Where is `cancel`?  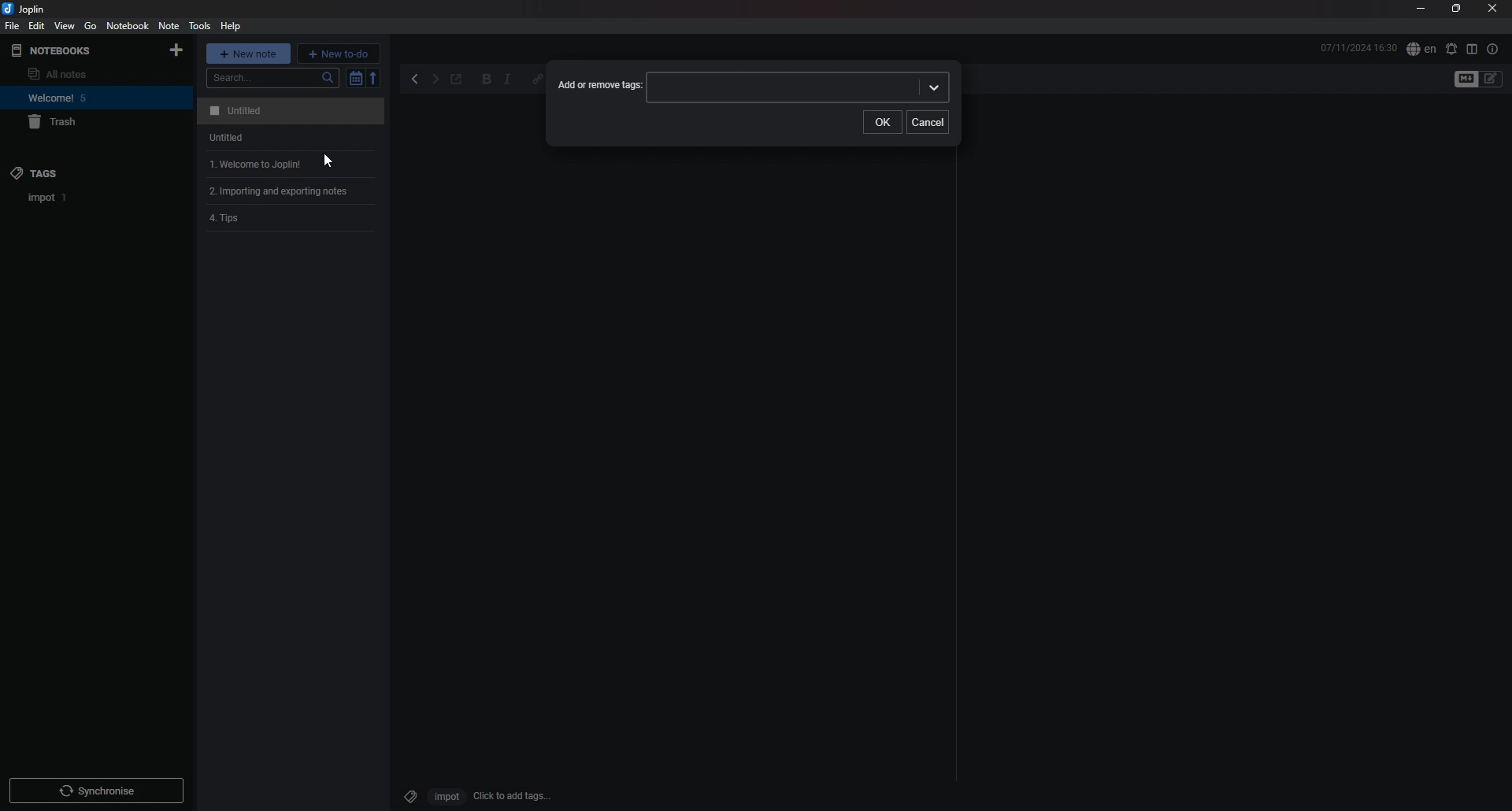 cancel is located at coordinates (930, 122).